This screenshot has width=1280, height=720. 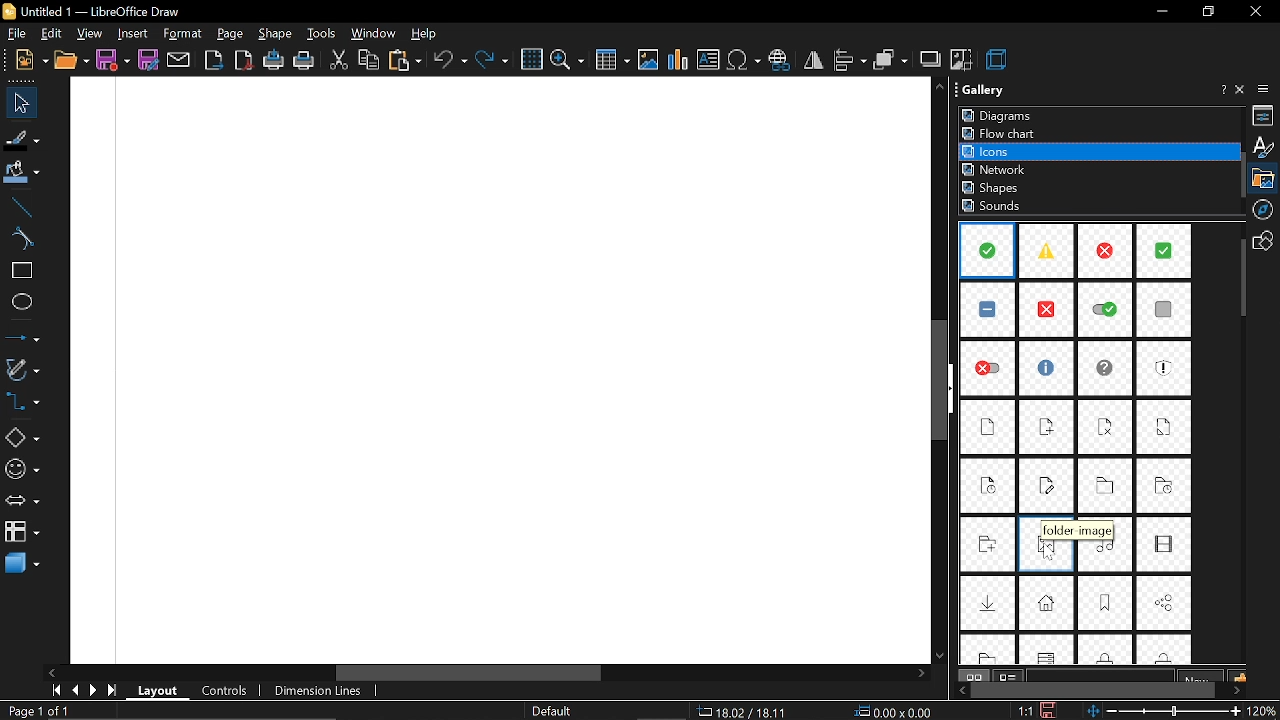 What do you see at coordinates (890, 61) in the screenshot?
I see `arrange` at bounding box center [890, 61].